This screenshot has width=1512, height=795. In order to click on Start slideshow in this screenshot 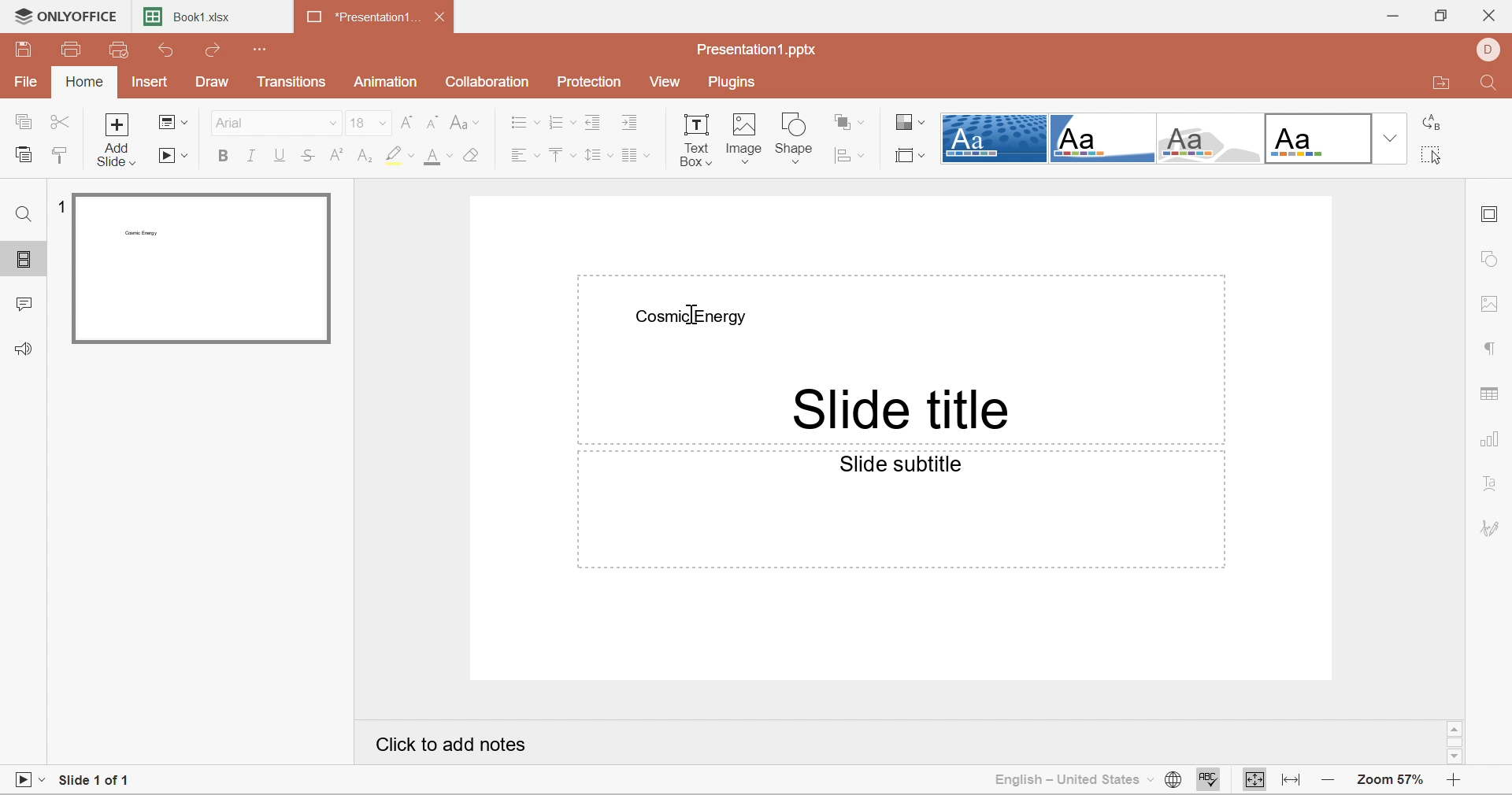, I will do `click(29, 778)`.